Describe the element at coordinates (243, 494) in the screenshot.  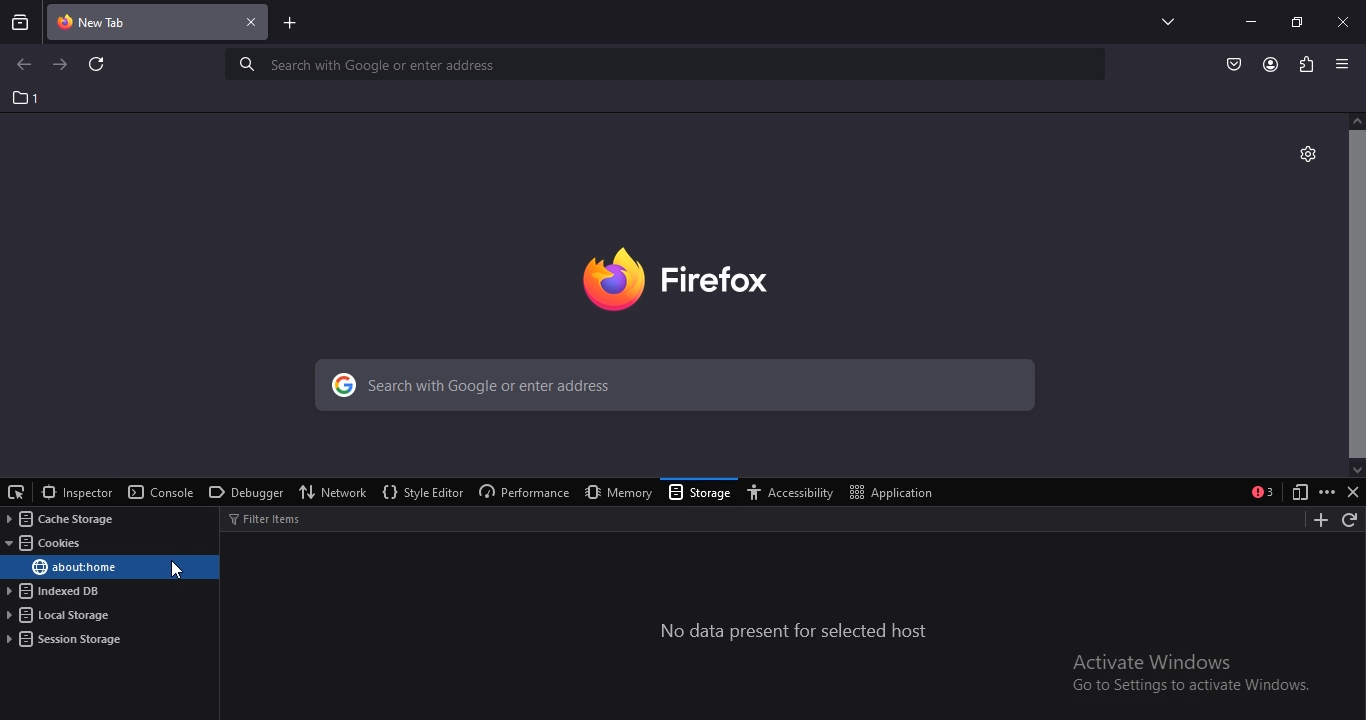
I see `debugger` at that location.